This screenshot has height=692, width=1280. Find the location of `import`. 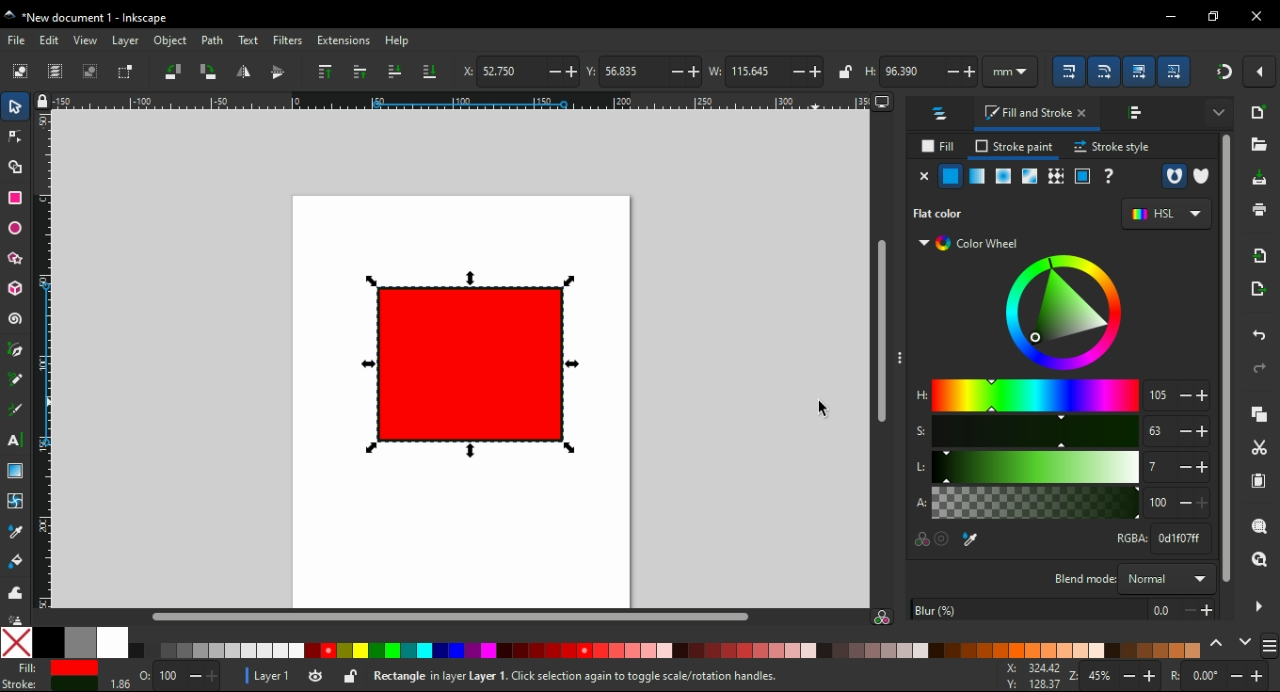

import is located at coordinates (1260, 256).